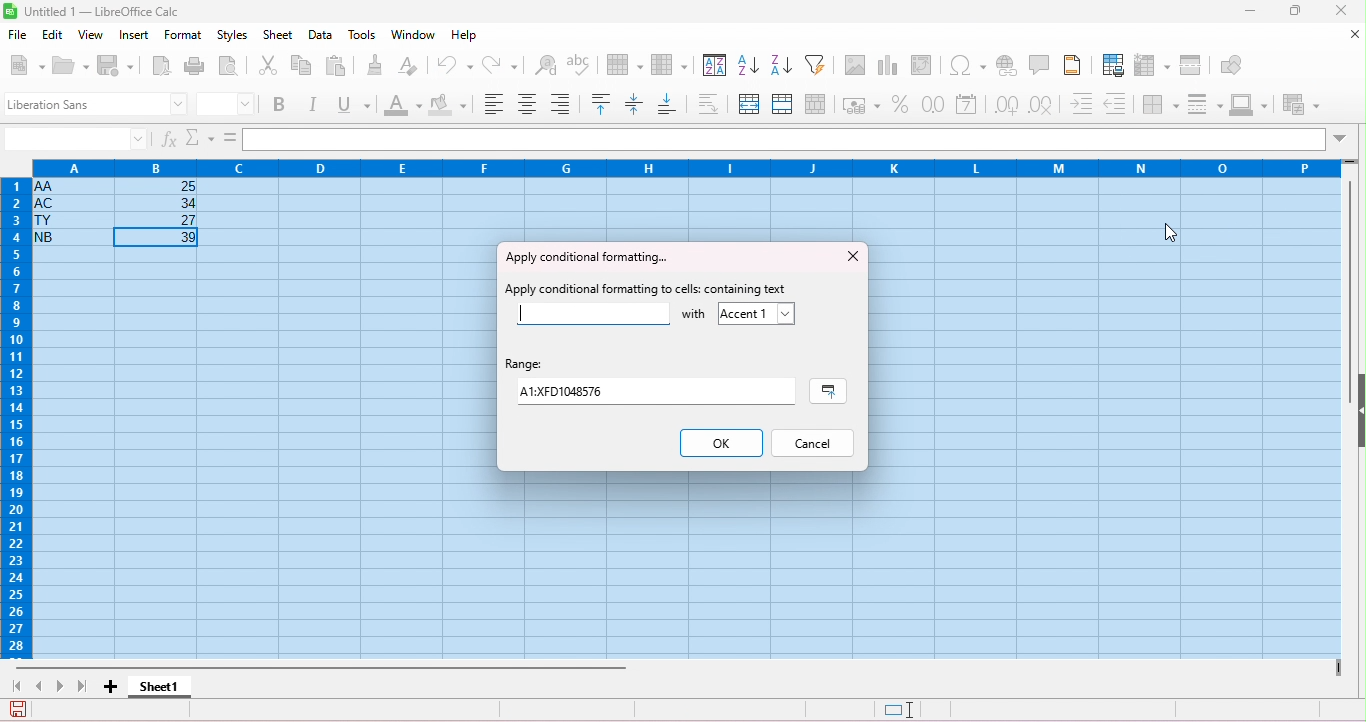 Image resolution: width=1366 pixels, height=722 pixels. I want to click on format, so click(184, 36).